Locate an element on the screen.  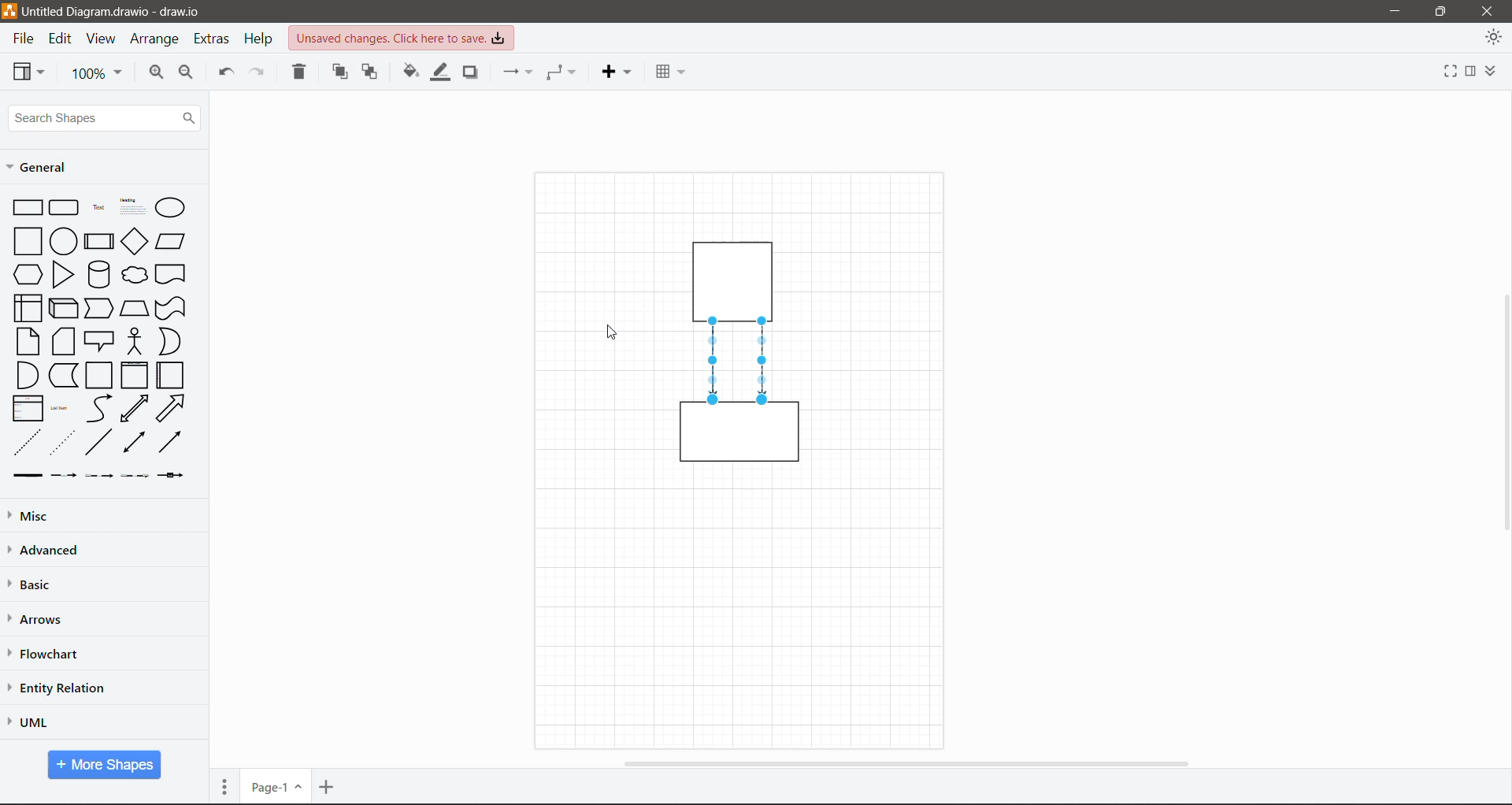
Rectangle is located at coordinates (27, 206).